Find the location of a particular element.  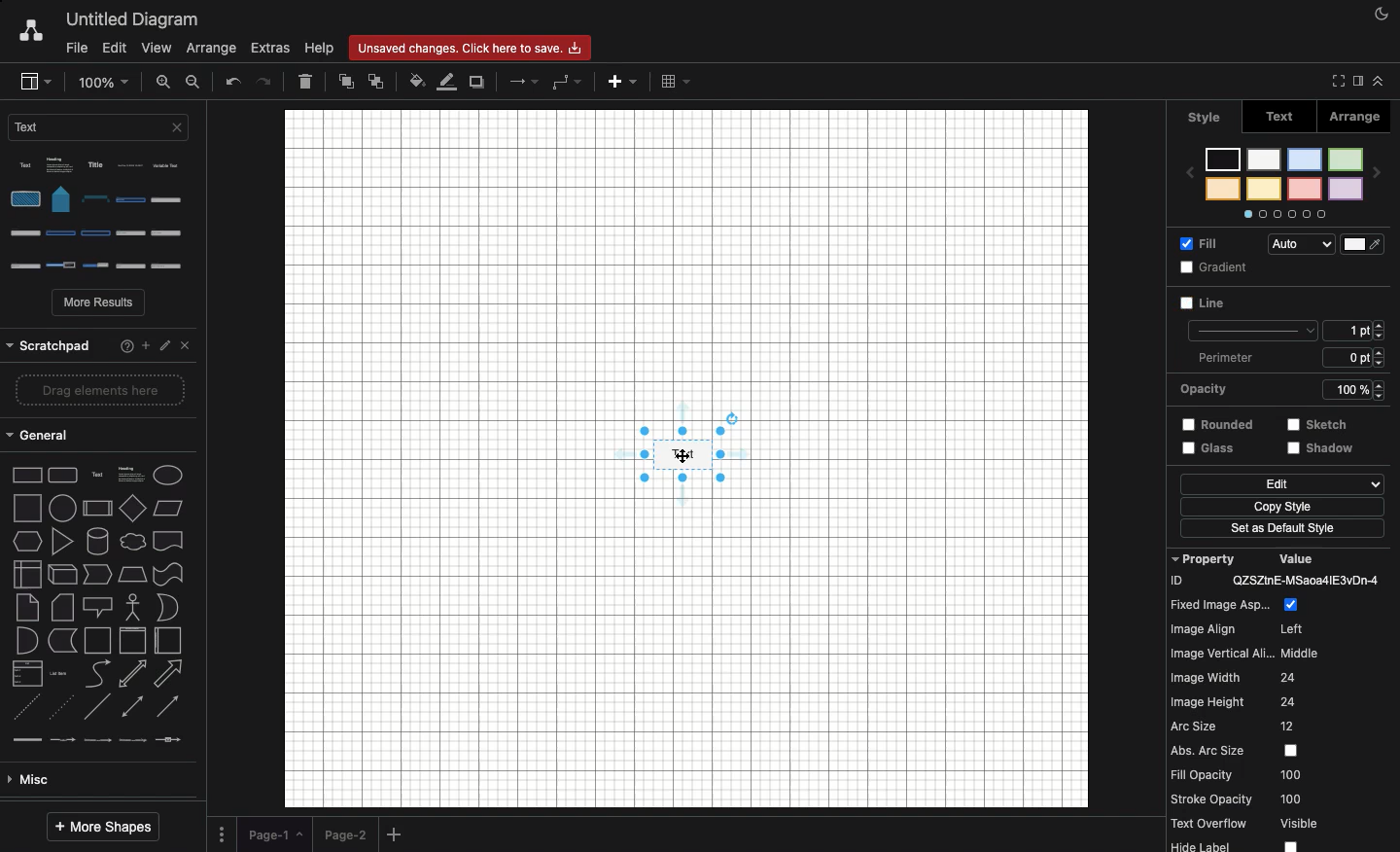

Styles is located at coordinates (1290, 176).